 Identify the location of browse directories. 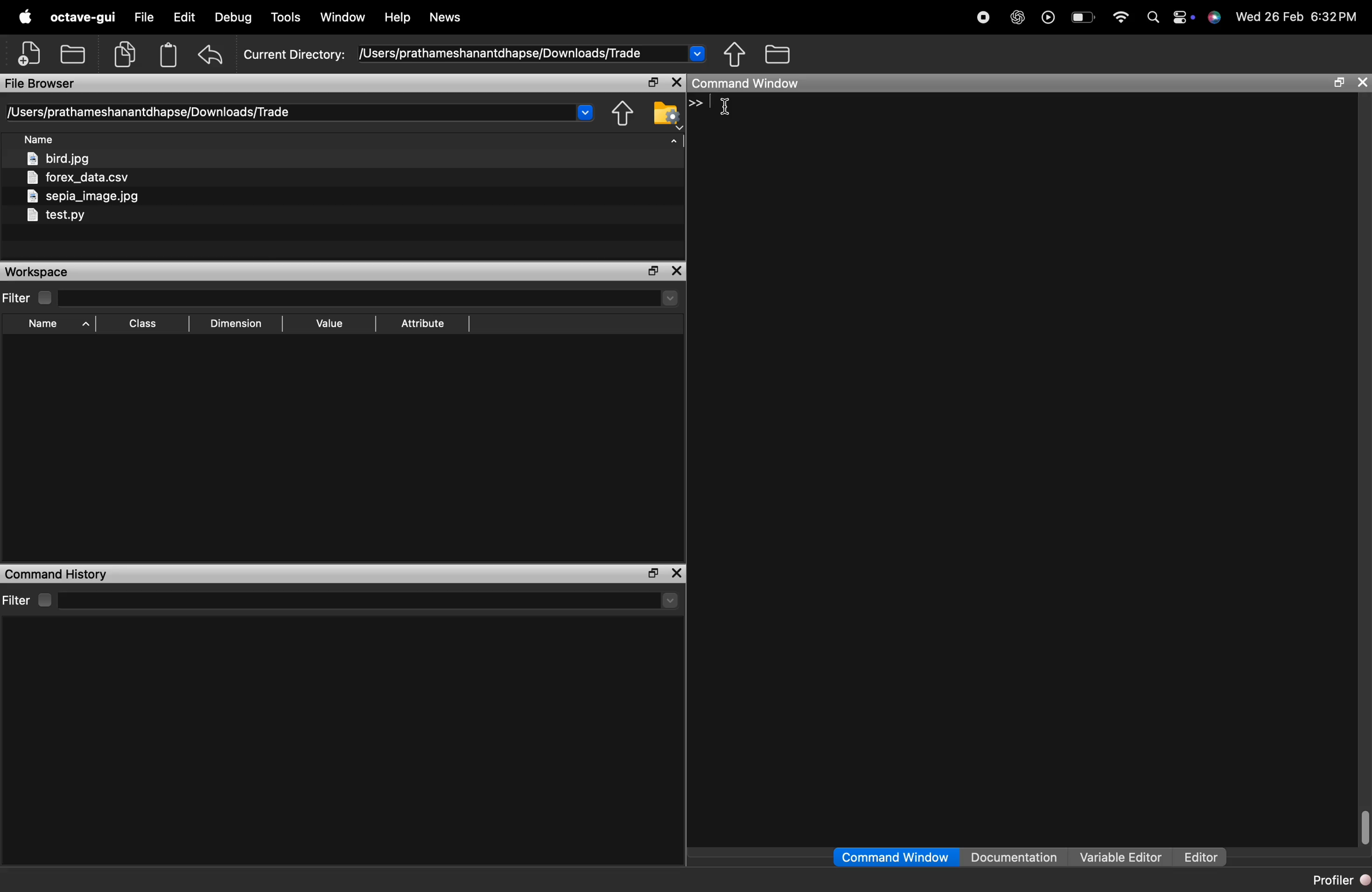
(778, 55).